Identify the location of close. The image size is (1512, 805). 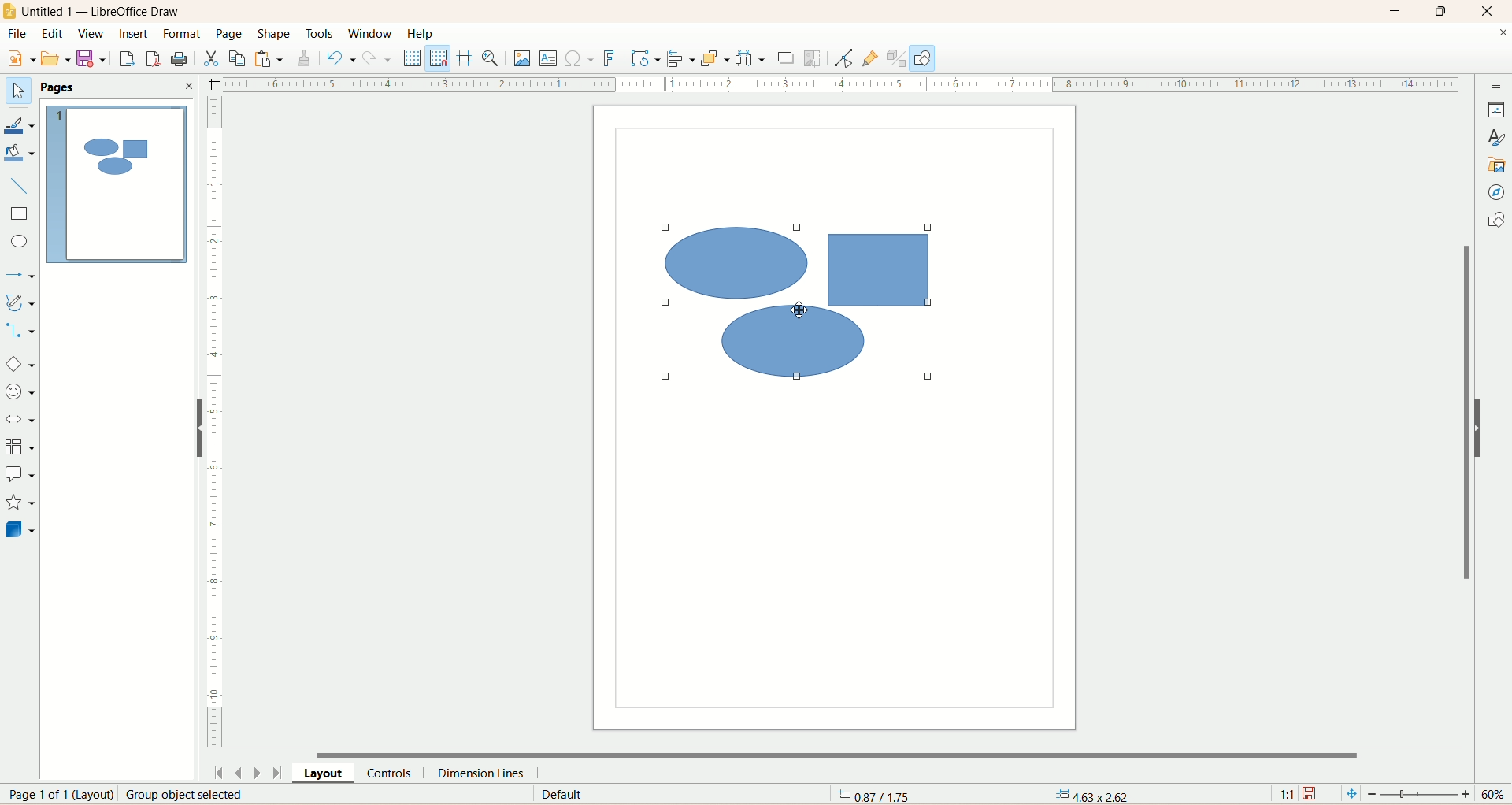
(1499, 34).